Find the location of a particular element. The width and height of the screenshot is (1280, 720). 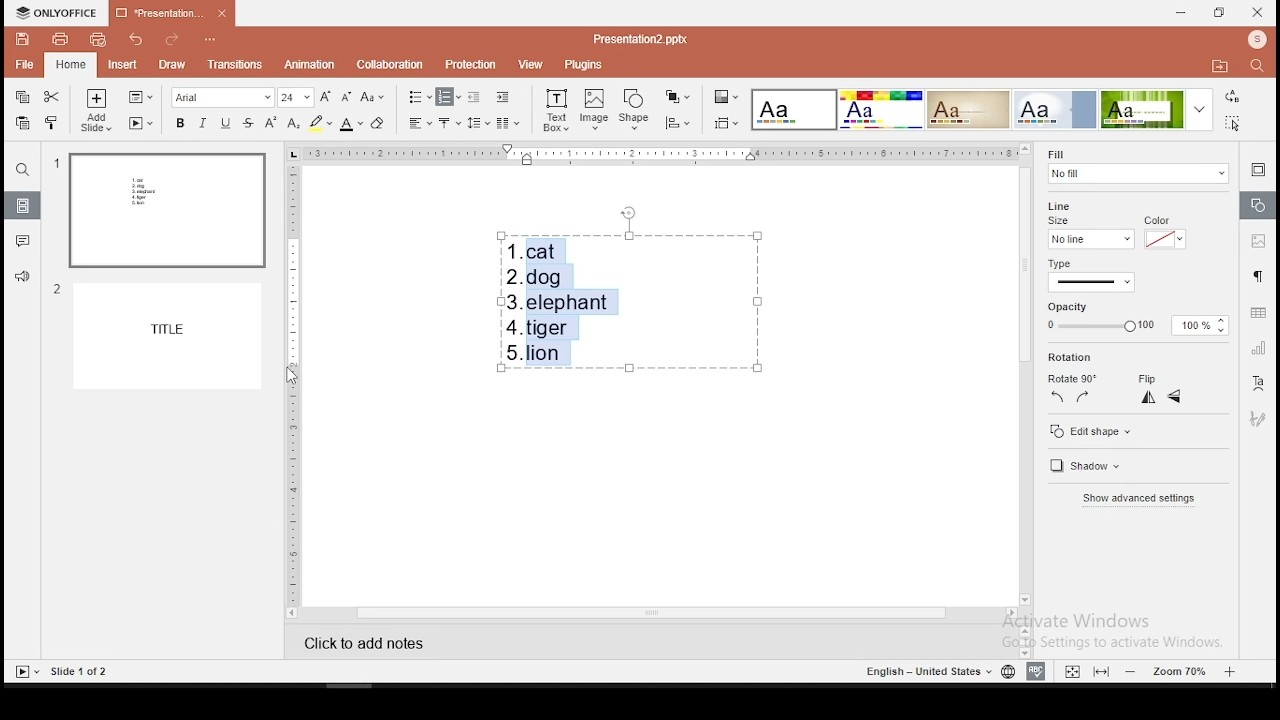

undo is located at coordinates (136, 39).